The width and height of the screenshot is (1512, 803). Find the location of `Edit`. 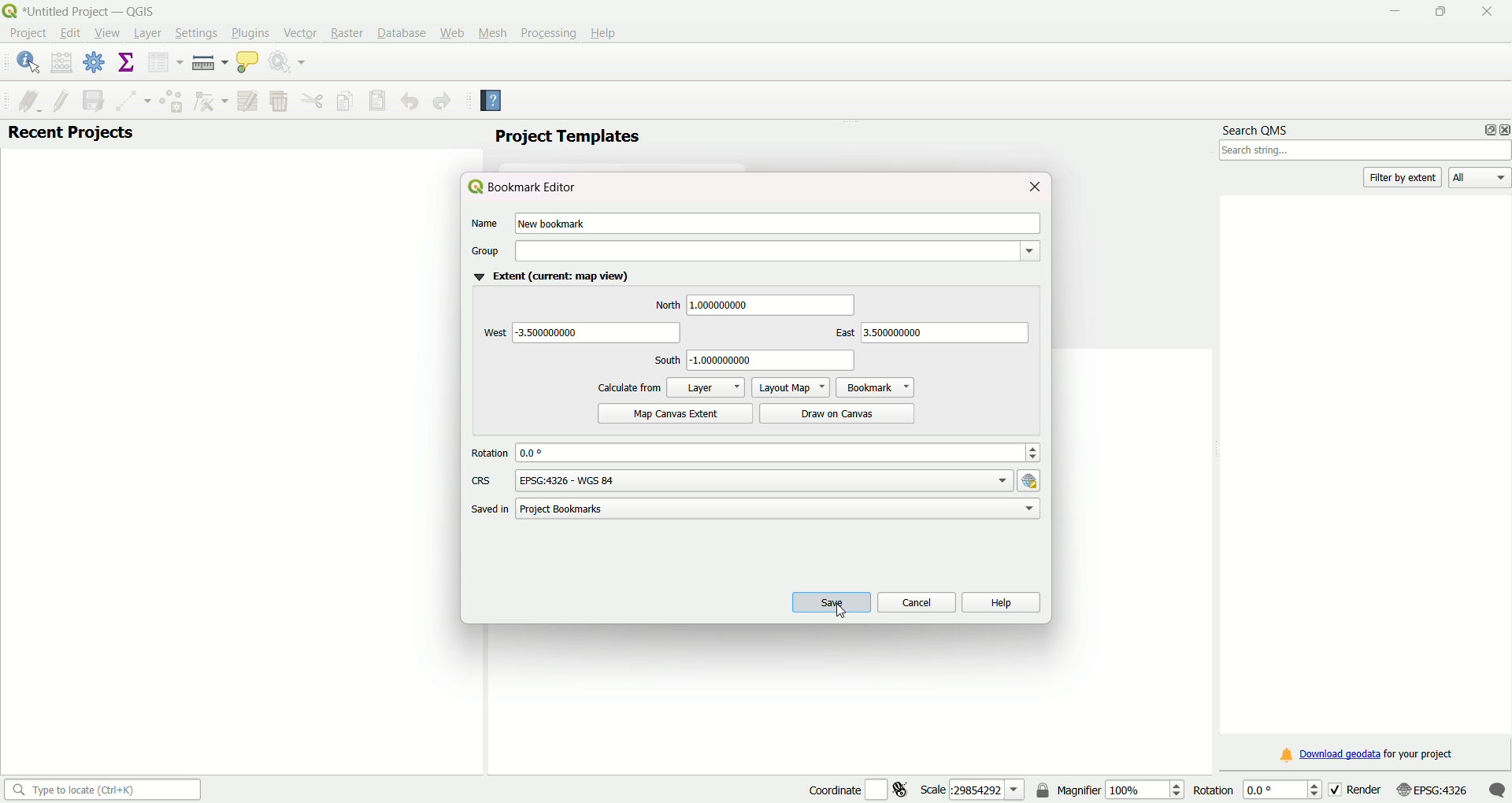

Edit is located at coordinates (69, 33).